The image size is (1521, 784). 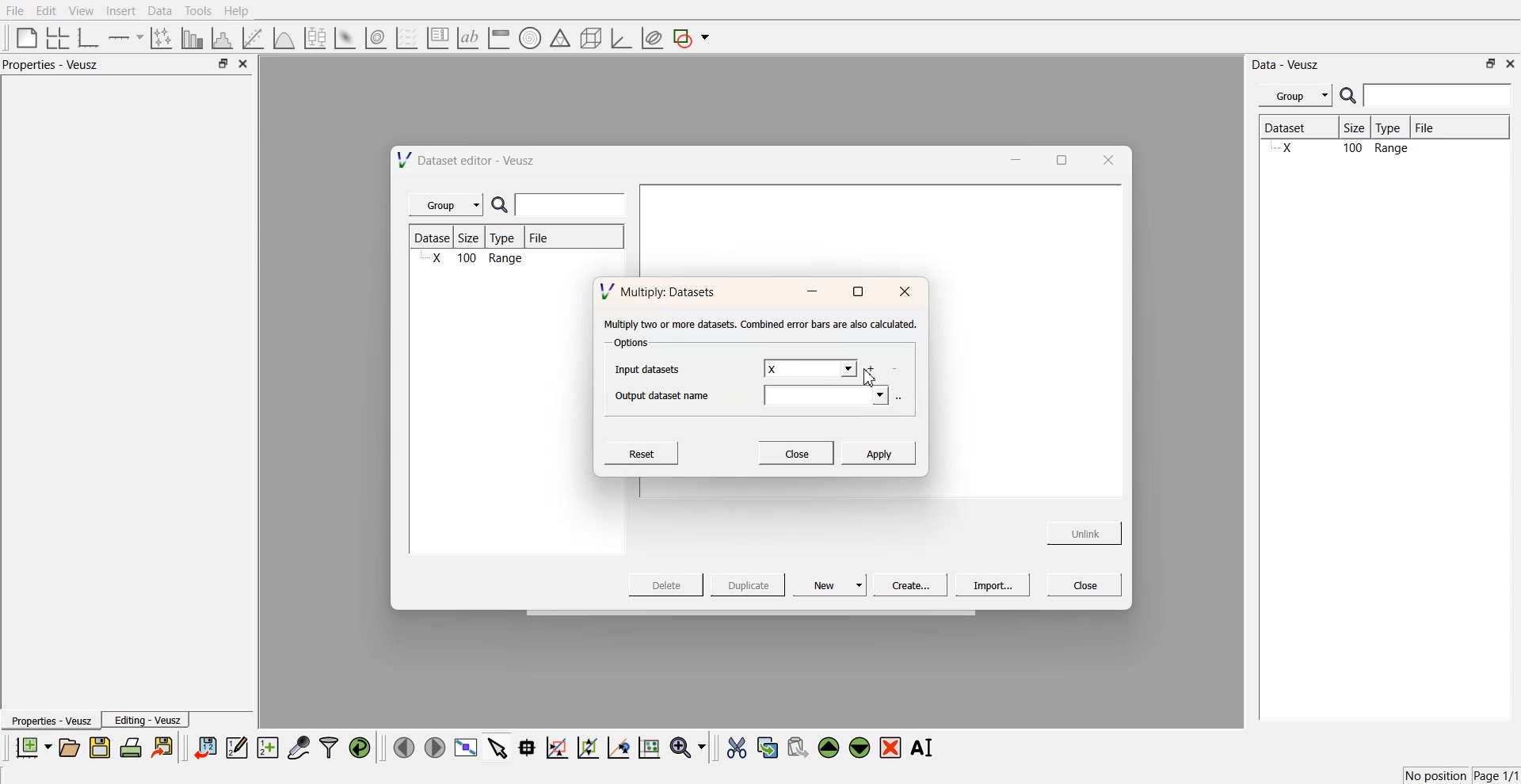 I want to click on export, so click(x=164, y=747).